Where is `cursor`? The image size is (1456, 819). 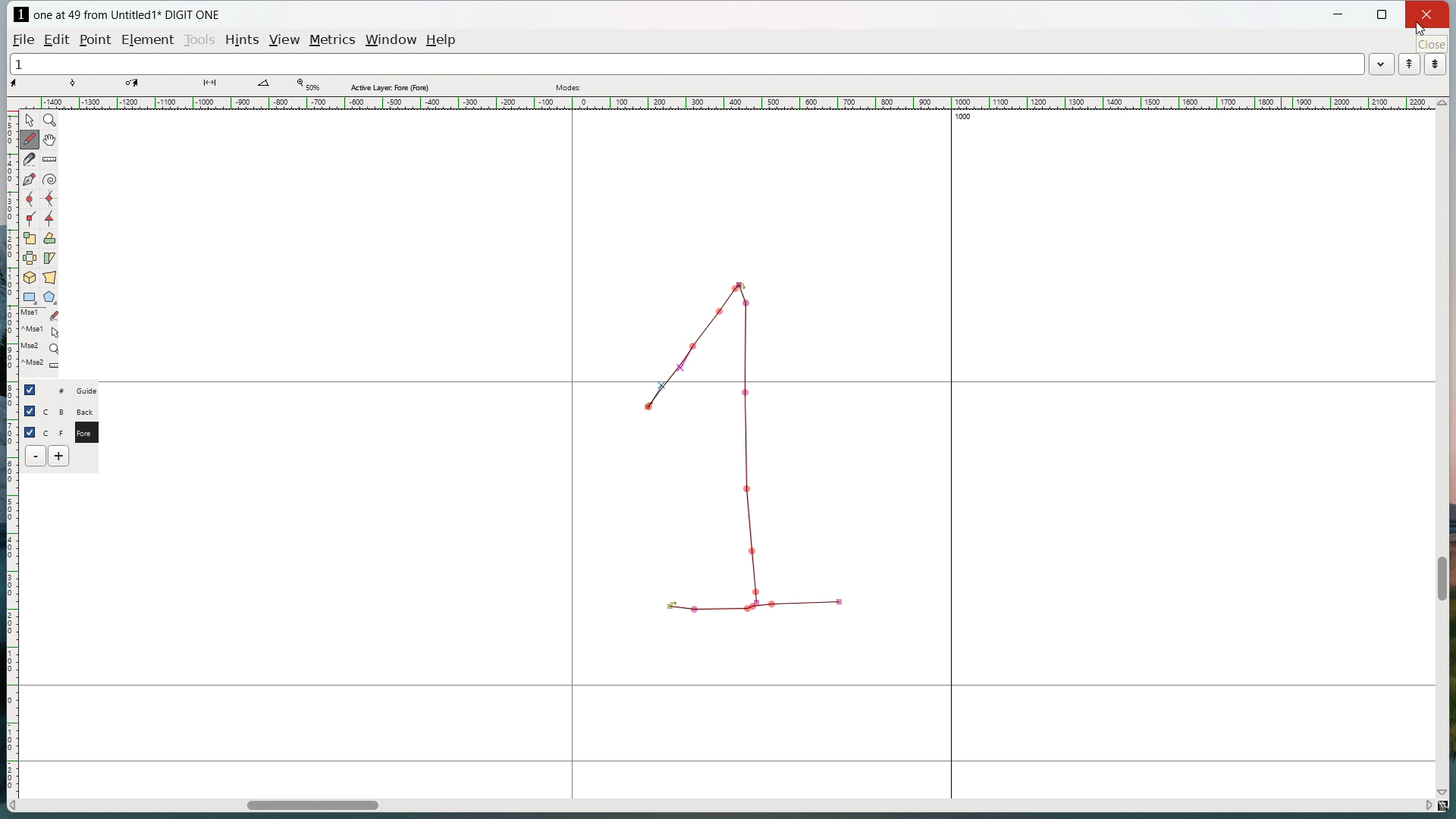
cursor is located at coordinates (1423, 32).